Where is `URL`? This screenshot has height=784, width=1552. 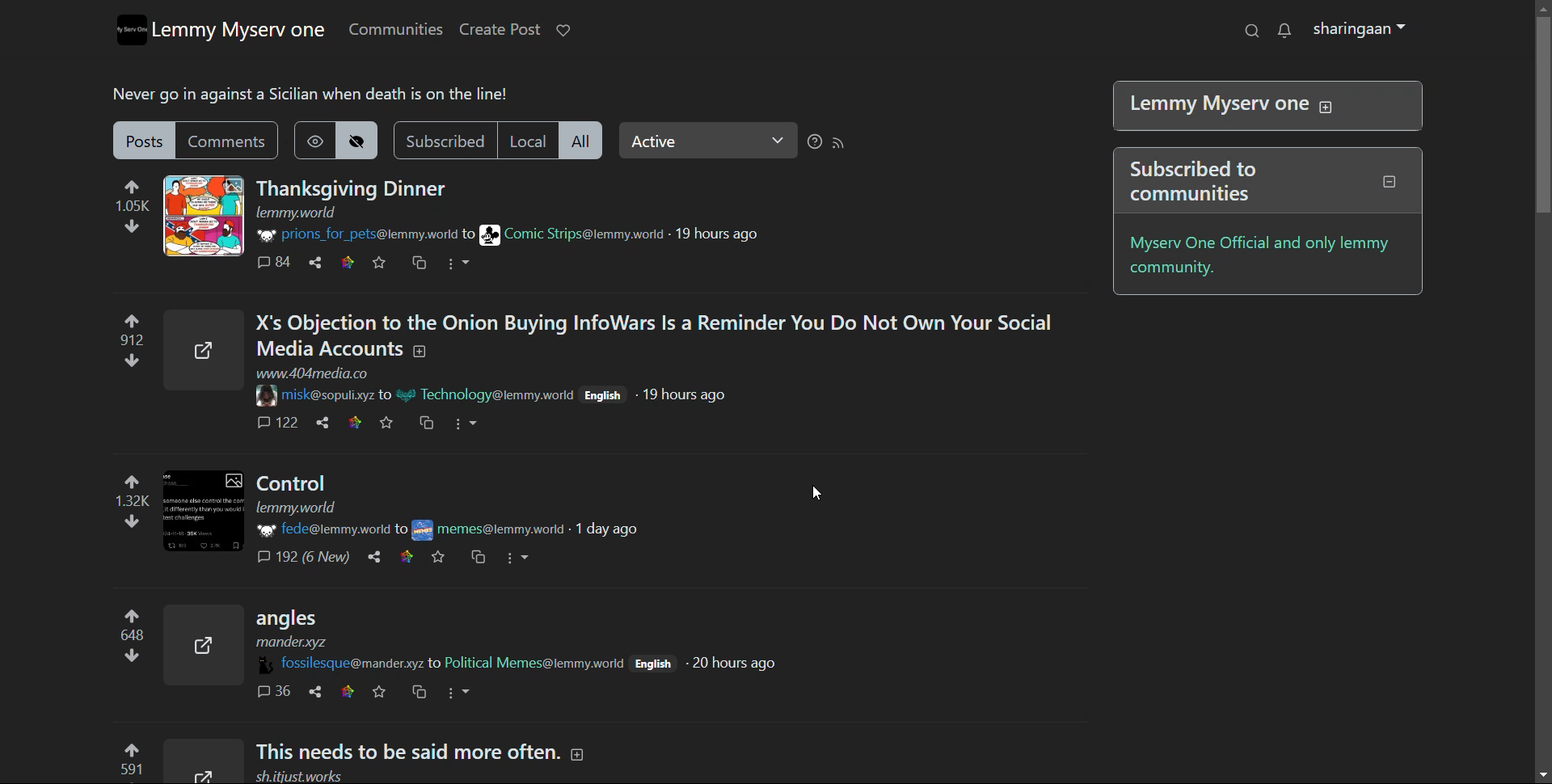 URL is located at coordinates (318, 374).